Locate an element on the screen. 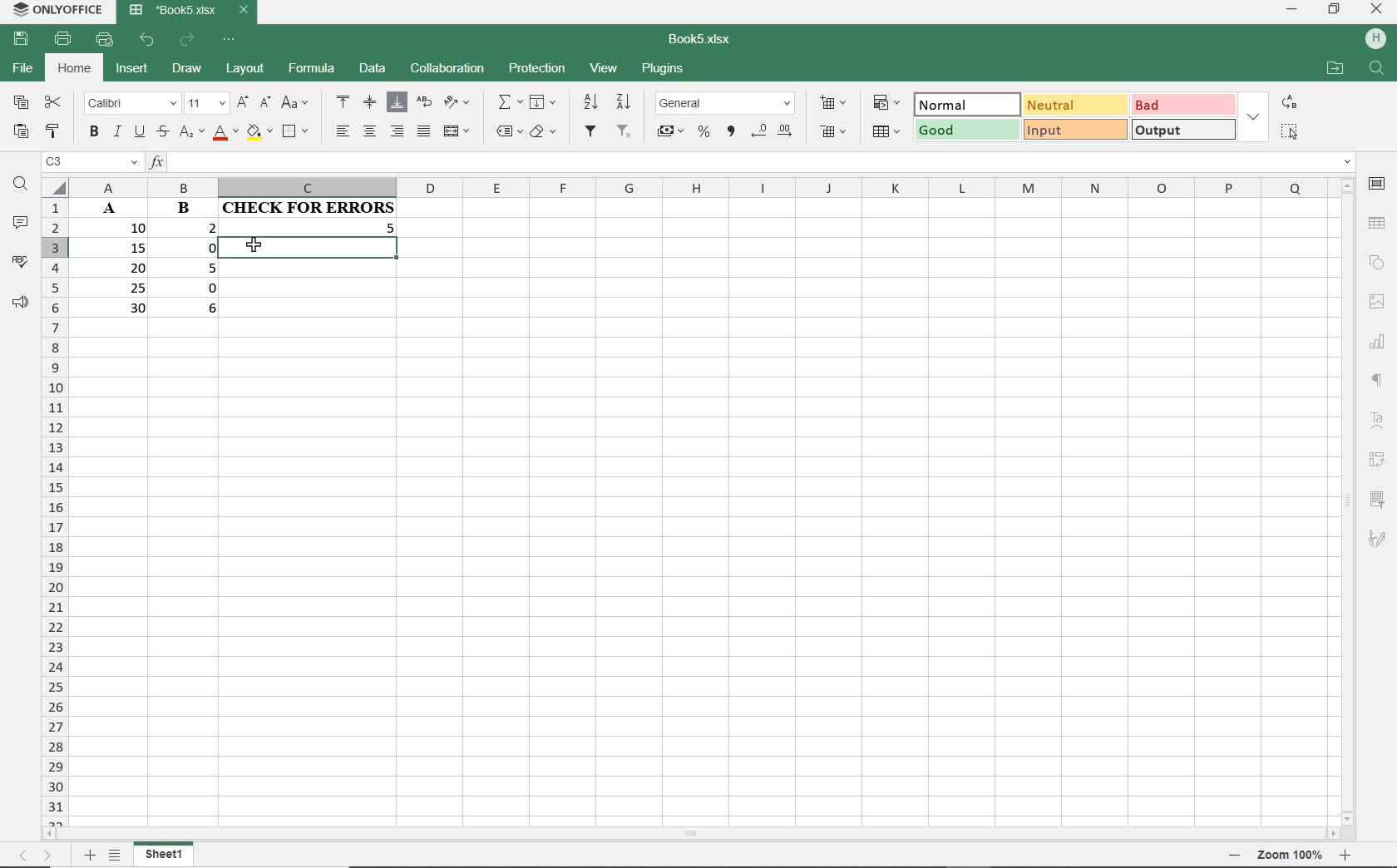  INCREMENT OR DECREMENT FONT SIZE is located at coordinates (253, 104).